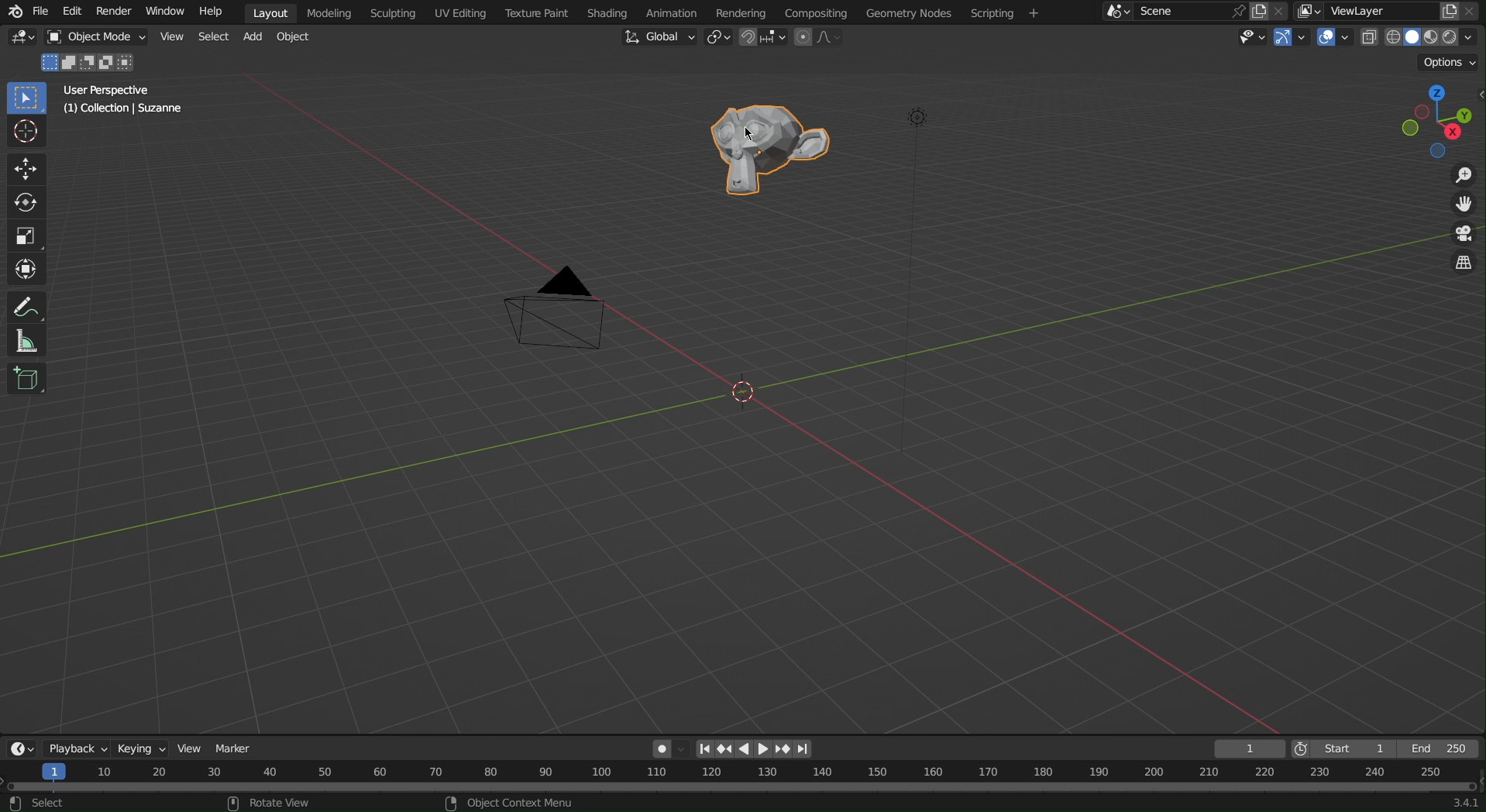 The image size is (1486, 812). What do you see at coordinates (659, 37) in the screenshot?
I see `Global` at bounding box center [659, 37].